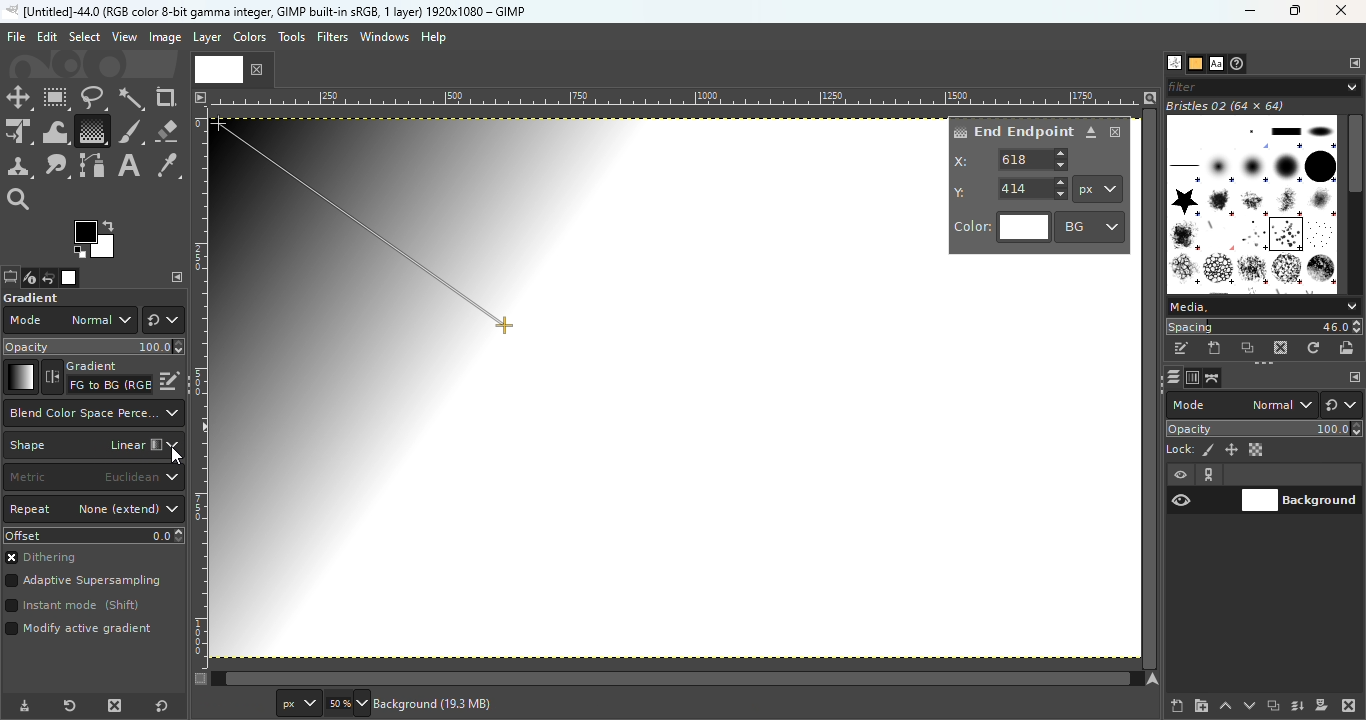  Describe the element at coordinates (18, 133) in the screenshot. I see `Unified transform tool` at that location.